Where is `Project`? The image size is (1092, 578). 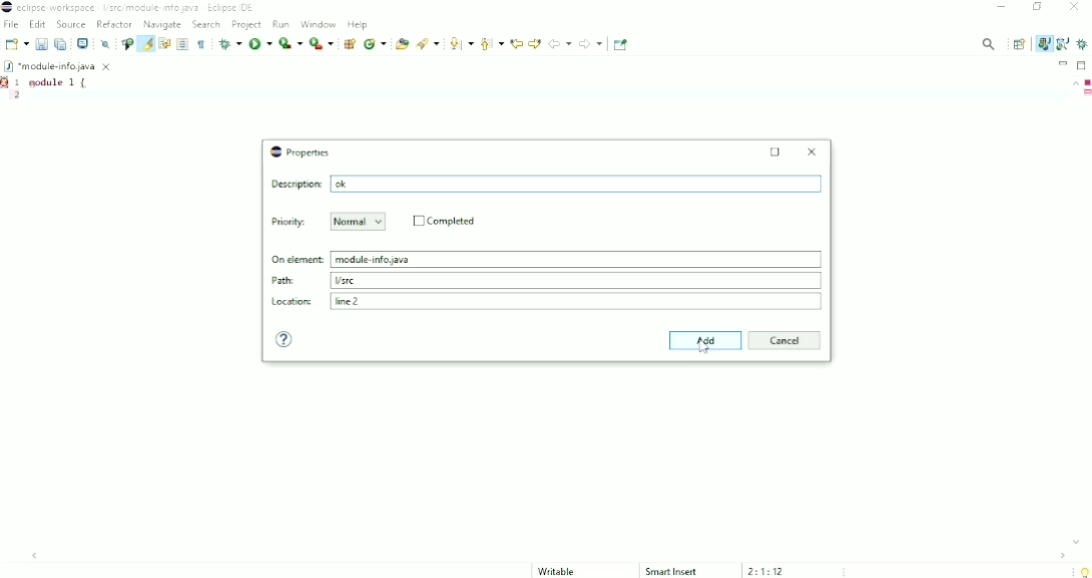 Project is located at coordinates (247, 24).